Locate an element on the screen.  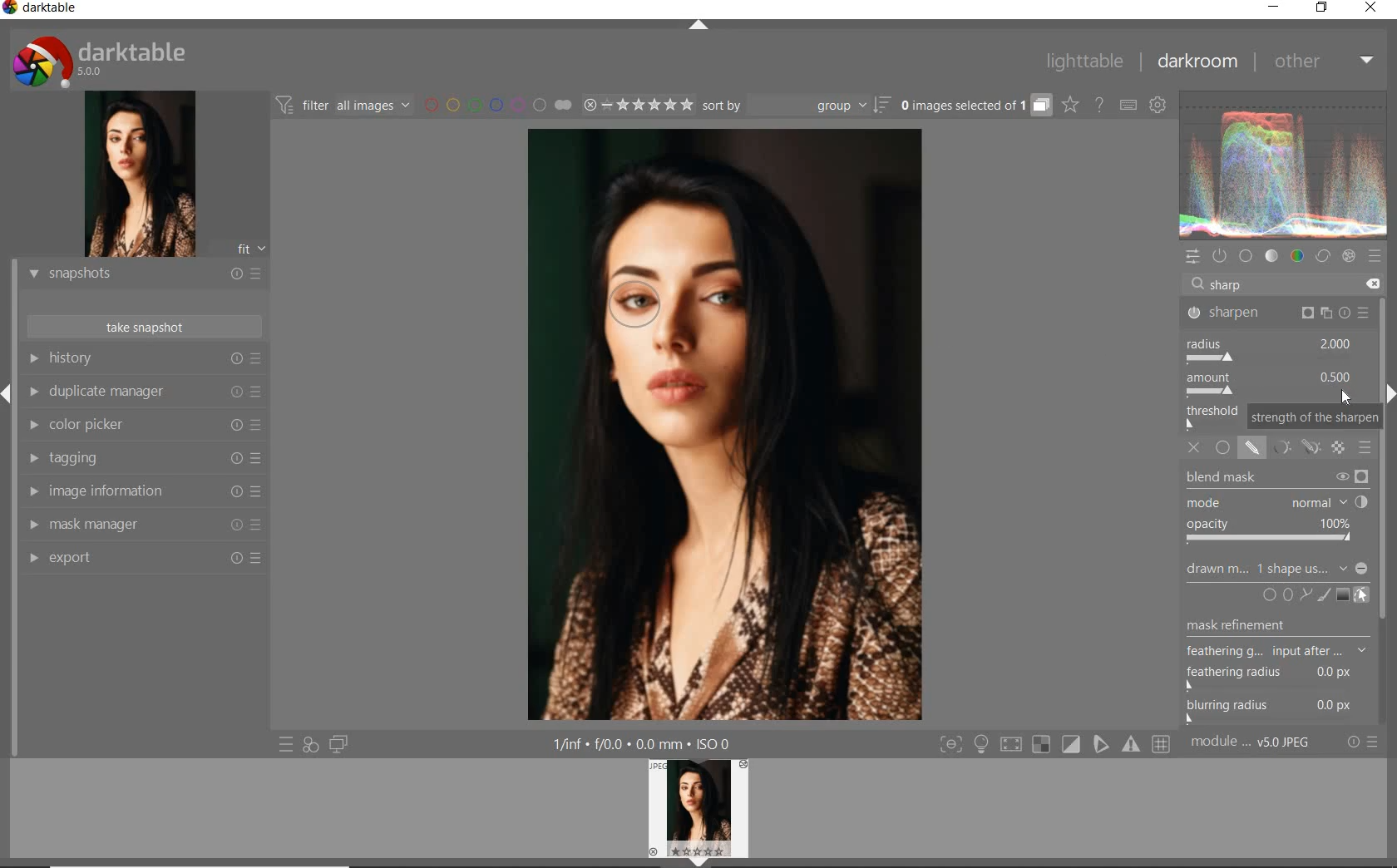
blend mask options is located at coordinates (1276, 509).